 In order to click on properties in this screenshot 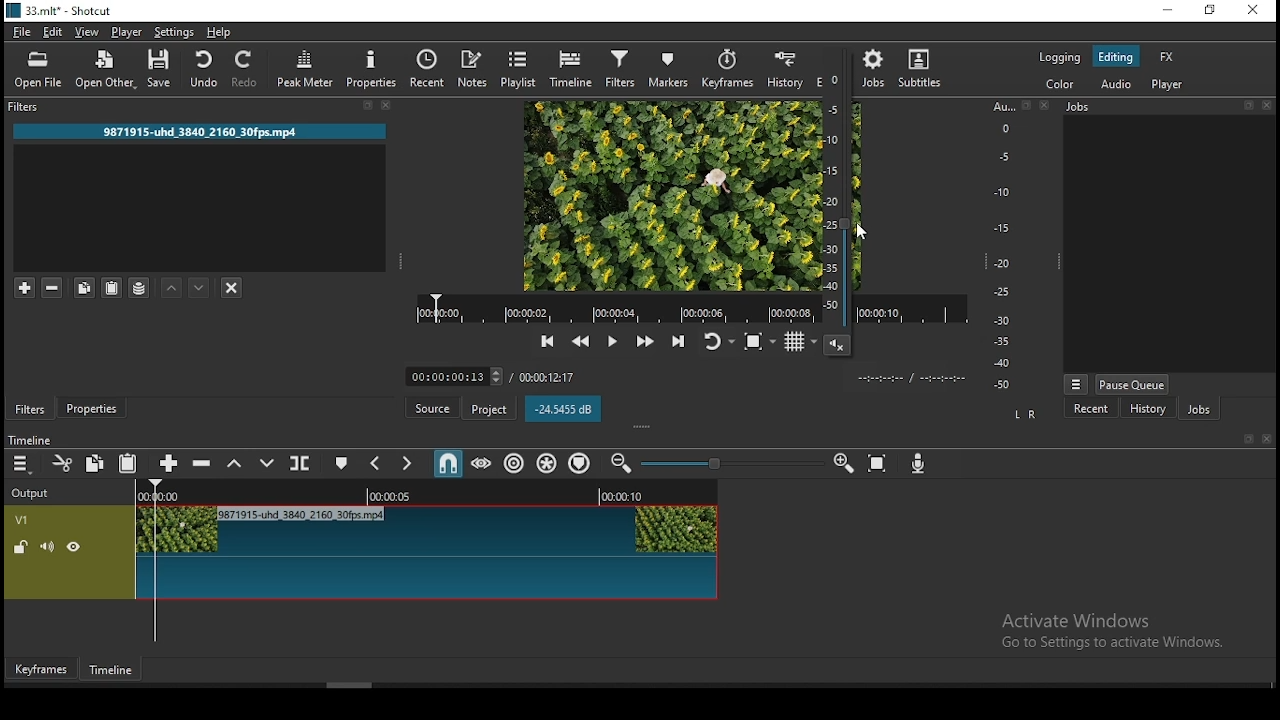, I will do `click(92, 408)`.